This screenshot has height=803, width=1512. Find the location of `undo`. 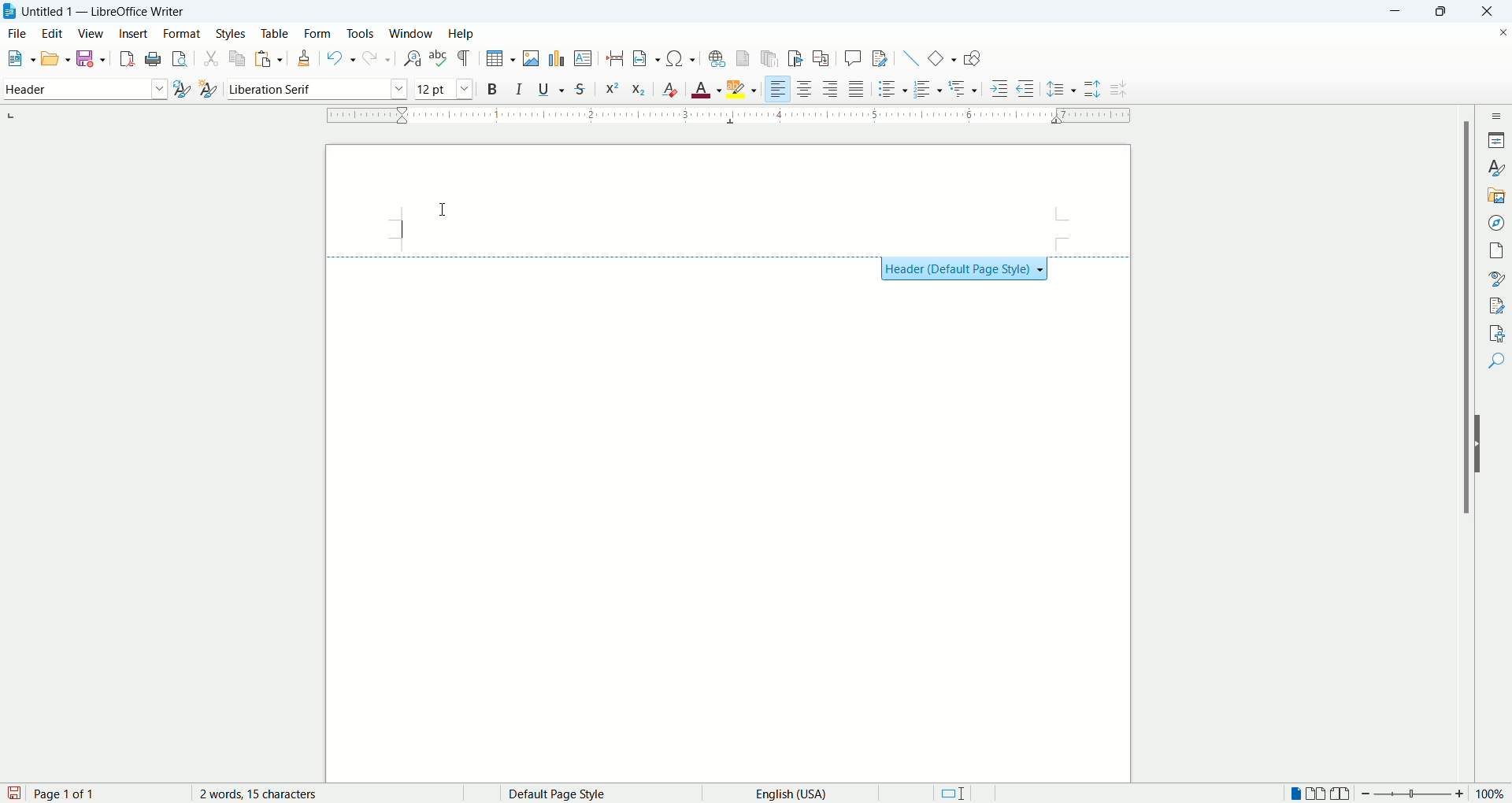

undo is located at coordinates (341, 58).